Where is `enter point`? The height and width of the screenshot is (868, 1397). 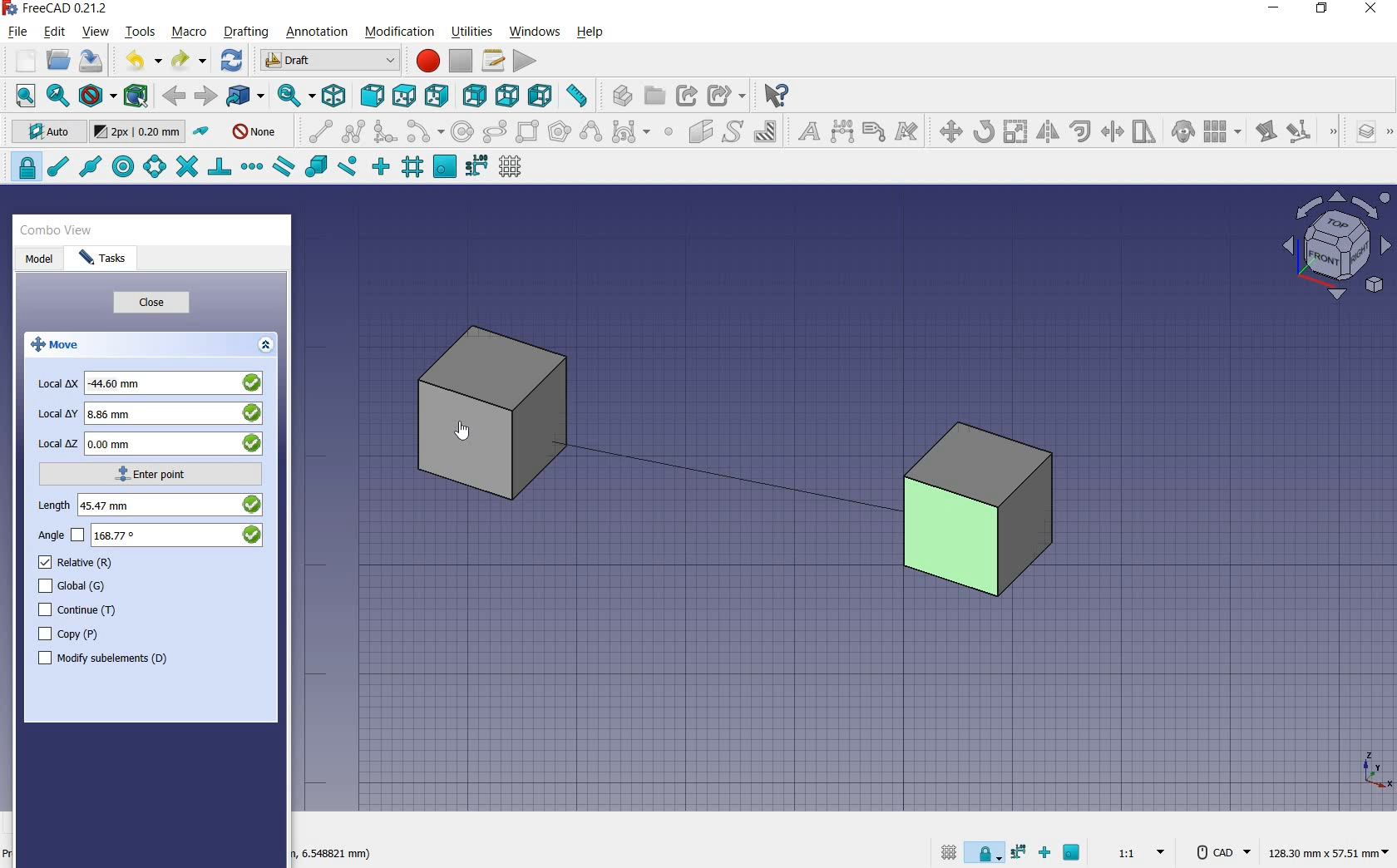 enter point is located at coordinates (151, 474).